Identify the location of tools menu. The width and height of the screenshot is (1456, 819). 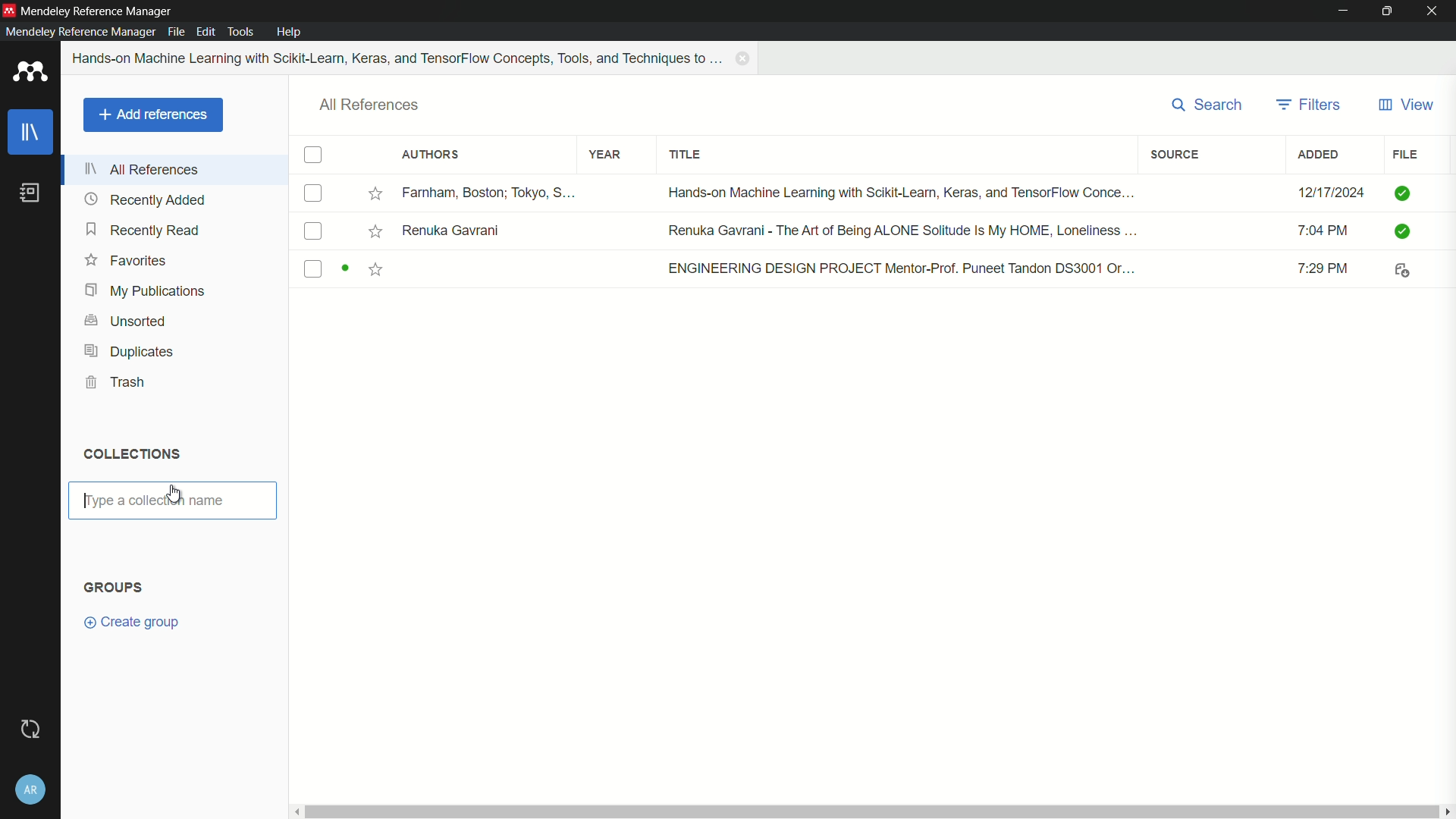
(240, 33).